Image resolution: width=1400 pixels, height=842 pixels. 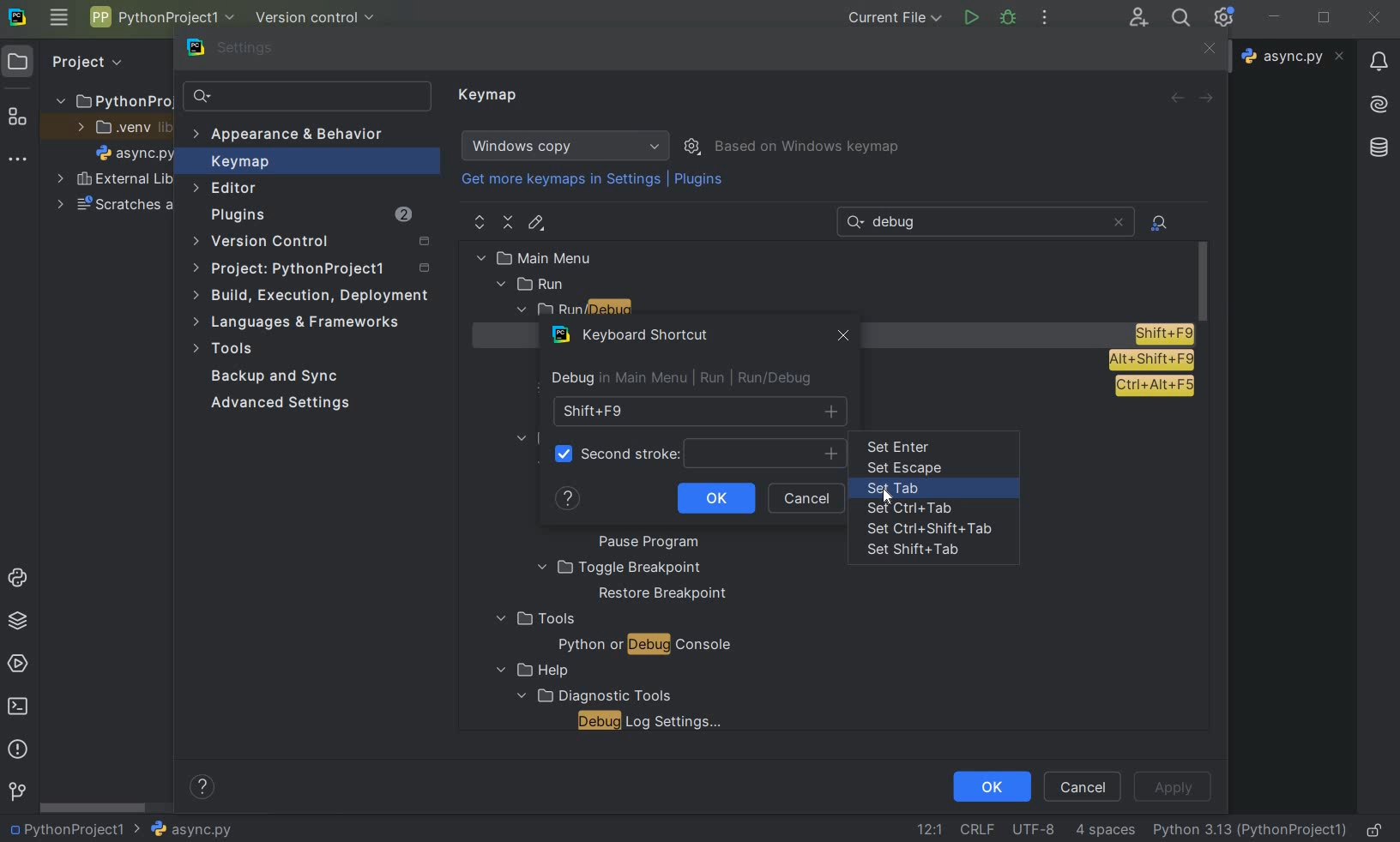 I want to click on set enter, so click(x=906, y=446).